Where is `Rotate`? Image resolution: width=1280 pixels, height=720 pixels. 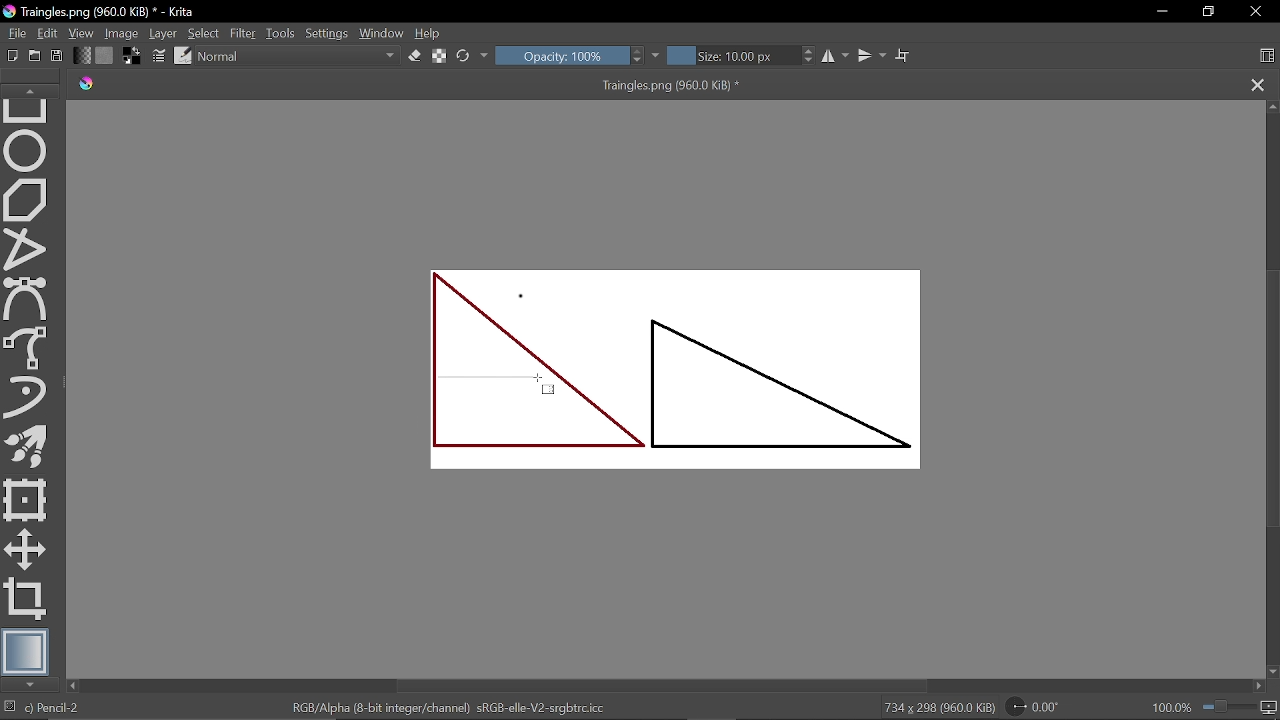 Rotate is located at coordinates (1038, 706).